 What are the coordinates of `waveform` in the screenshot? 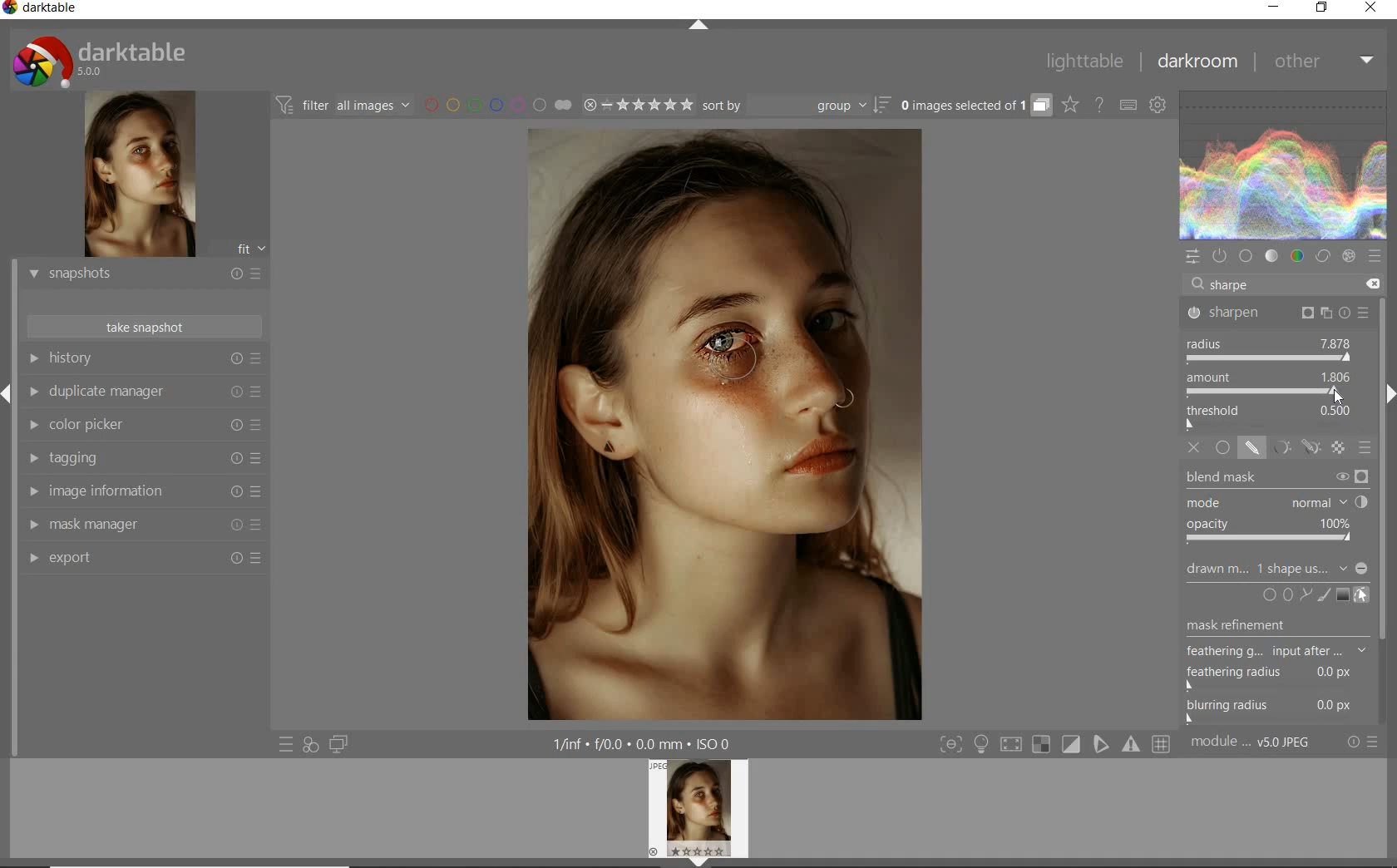 It's located at (1284, 165).